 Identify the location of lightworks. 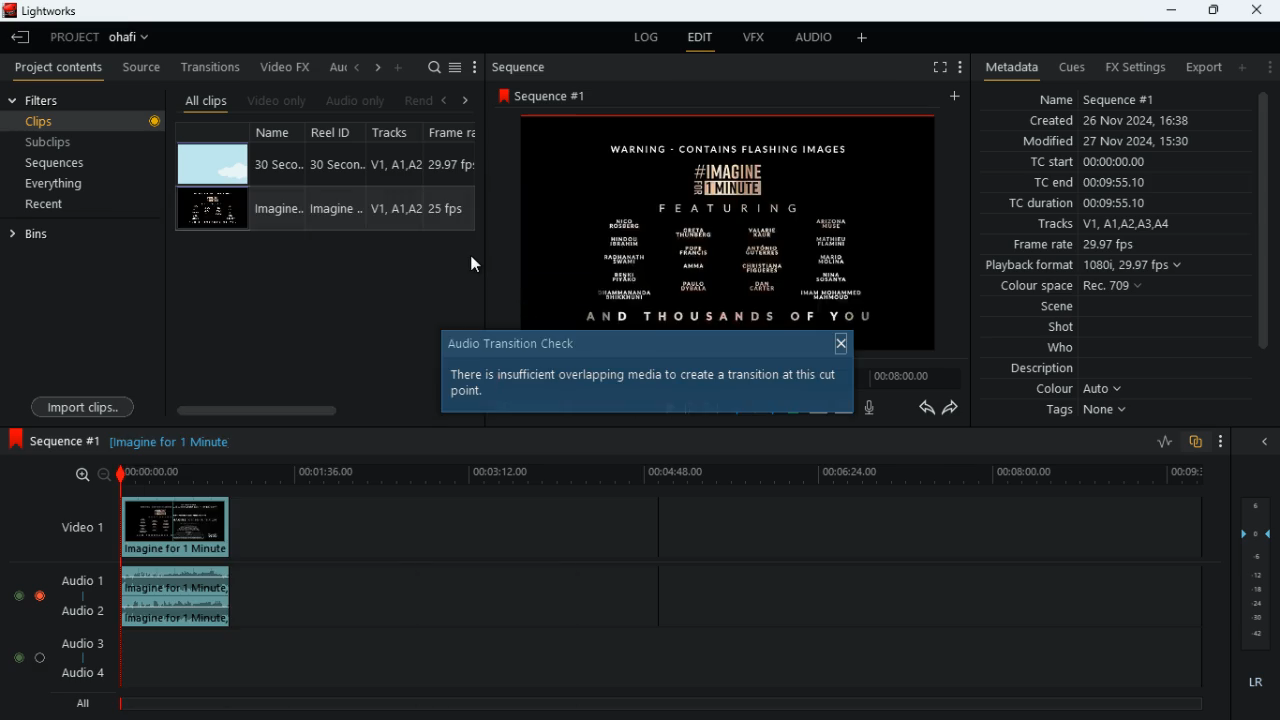
(47, 12).